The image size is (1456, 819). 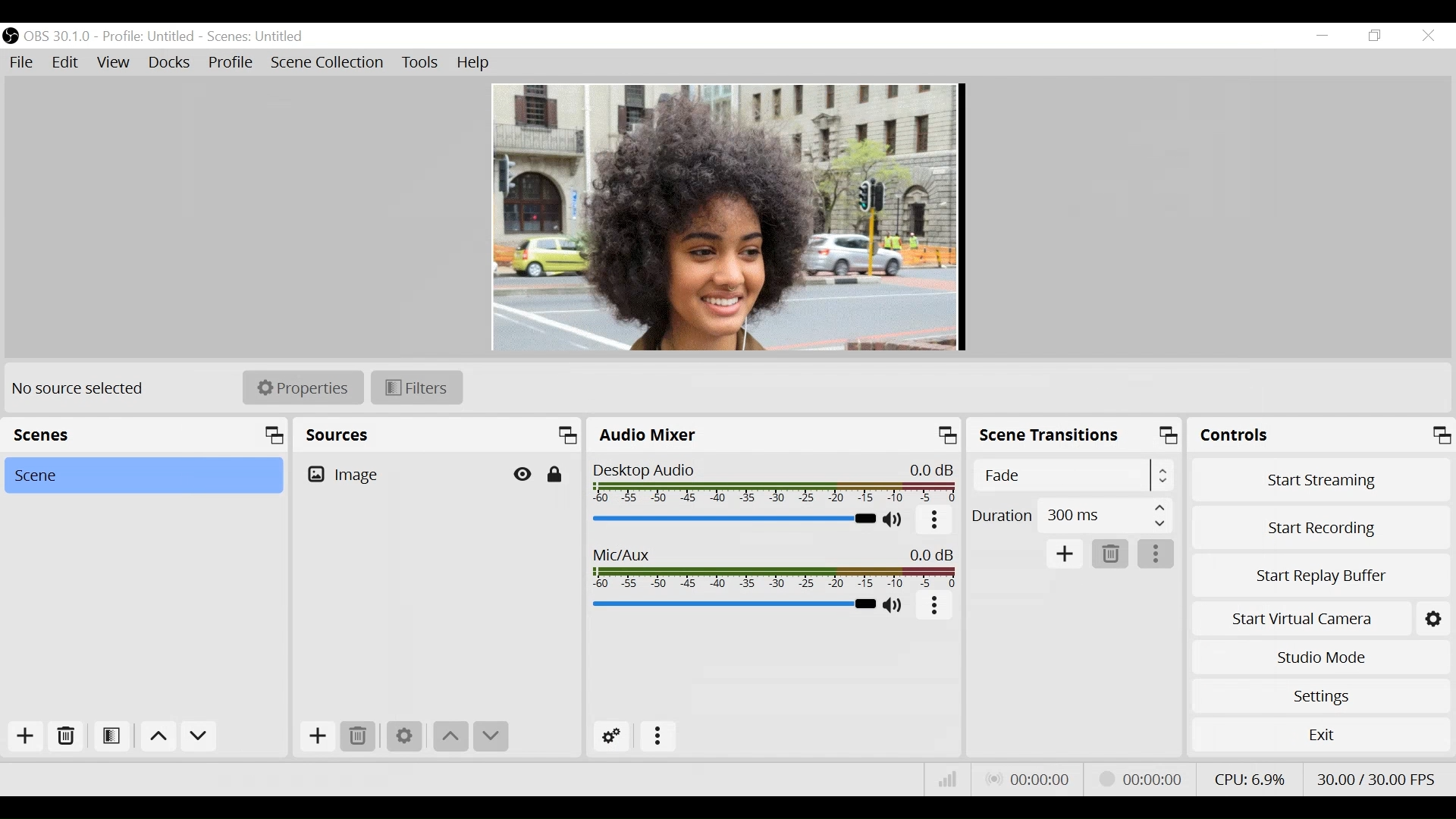 What do you see at coordinates (556, 475) in the screenshot?
I see `(un)lock` at bounding box center [556, 475].